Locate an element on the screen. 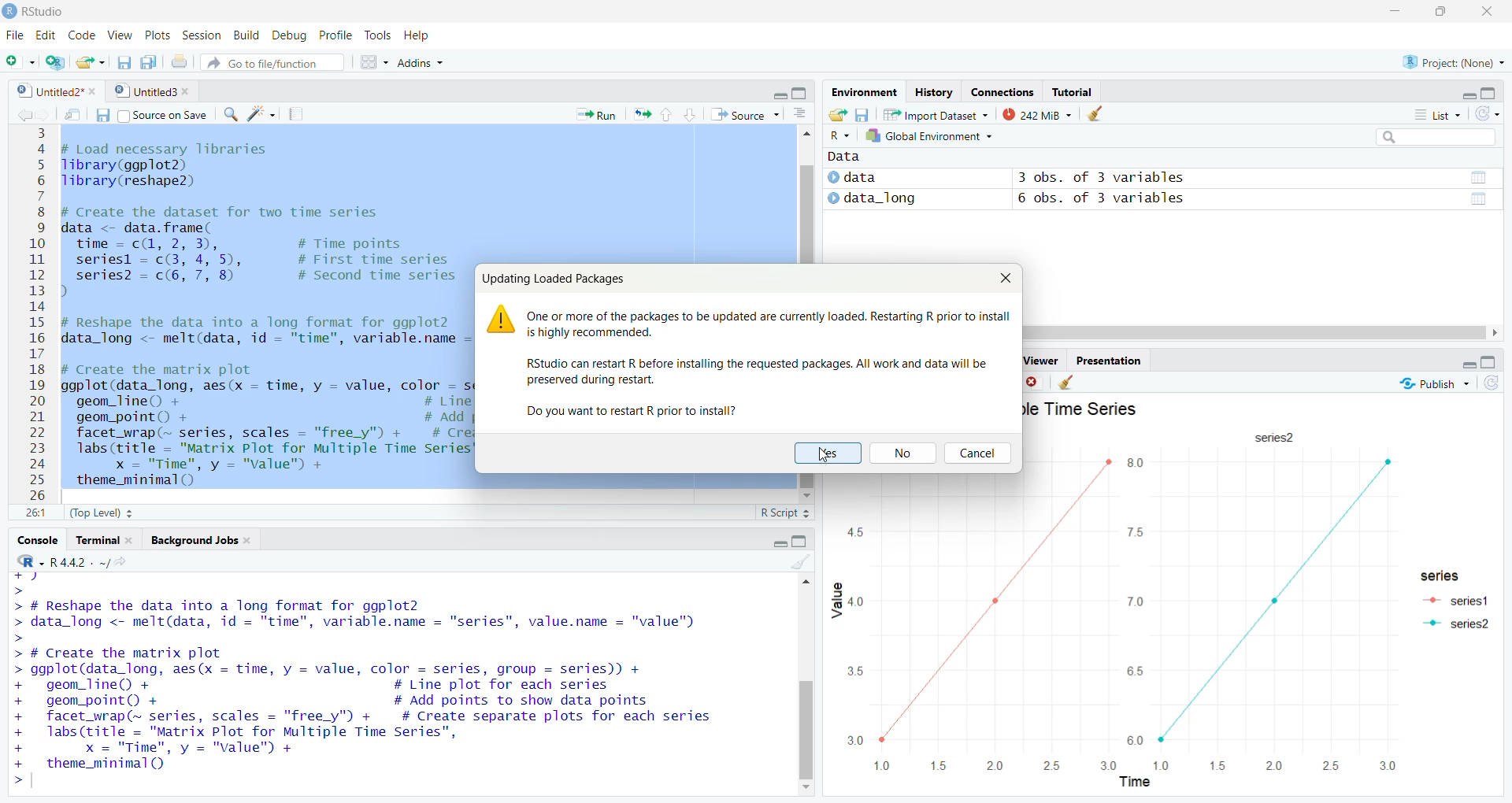  Code is located at coordinates (82, 36).